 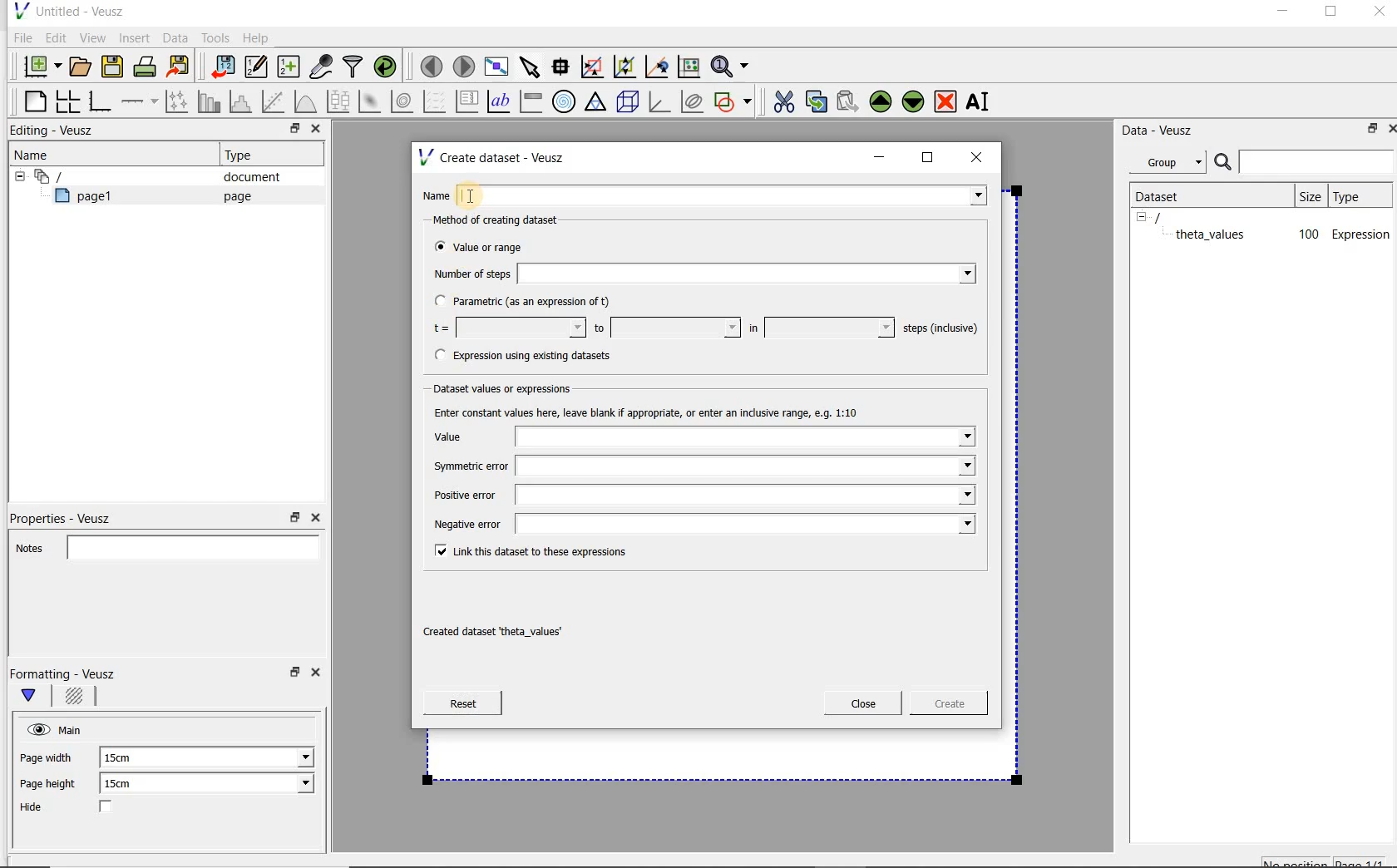 What do you see at coordinates (1305, 160) in the screenshot?
I see `Search bar` at bounding box center [1305, 160].